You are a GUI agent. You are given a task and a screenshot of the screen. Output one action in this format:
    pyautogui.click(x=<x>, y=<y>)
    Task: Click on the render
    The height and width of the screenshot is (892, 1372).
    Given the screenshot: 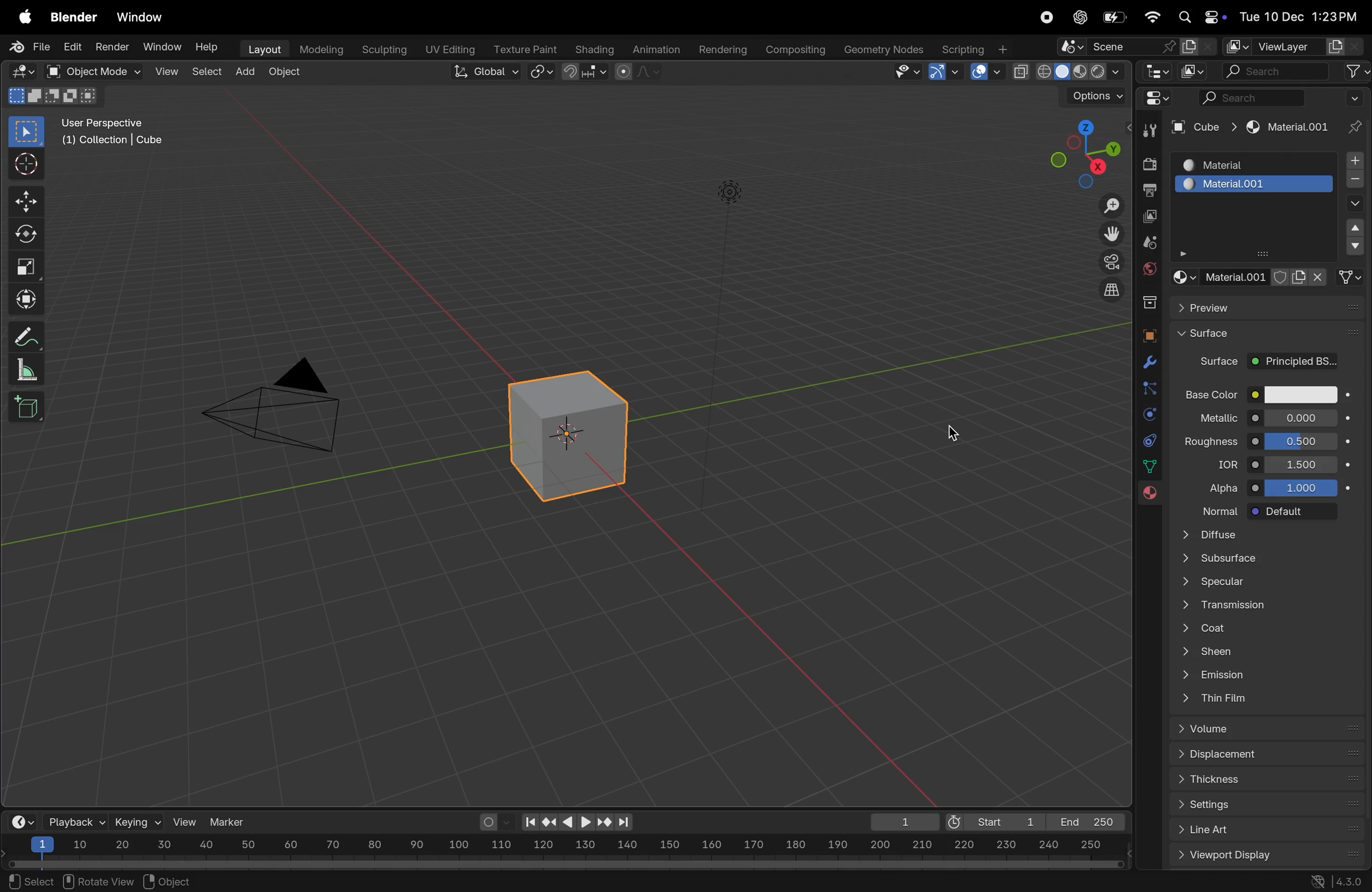 What is the action you would take?
    pyautogui.click(x=1148, y=164)
    